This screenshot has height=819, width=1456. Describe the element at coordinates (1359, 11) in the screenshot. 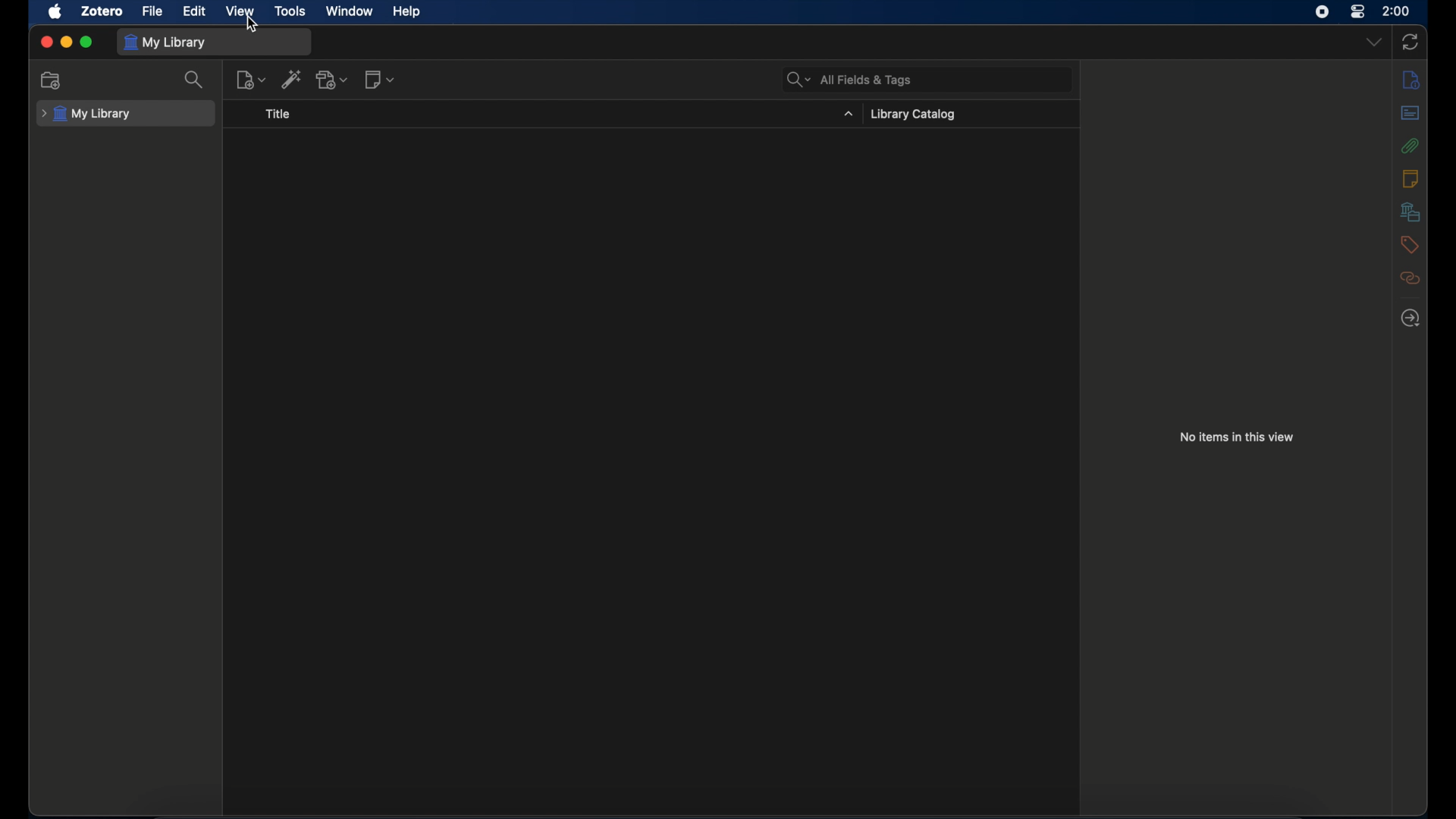

I see `control center` at that location.